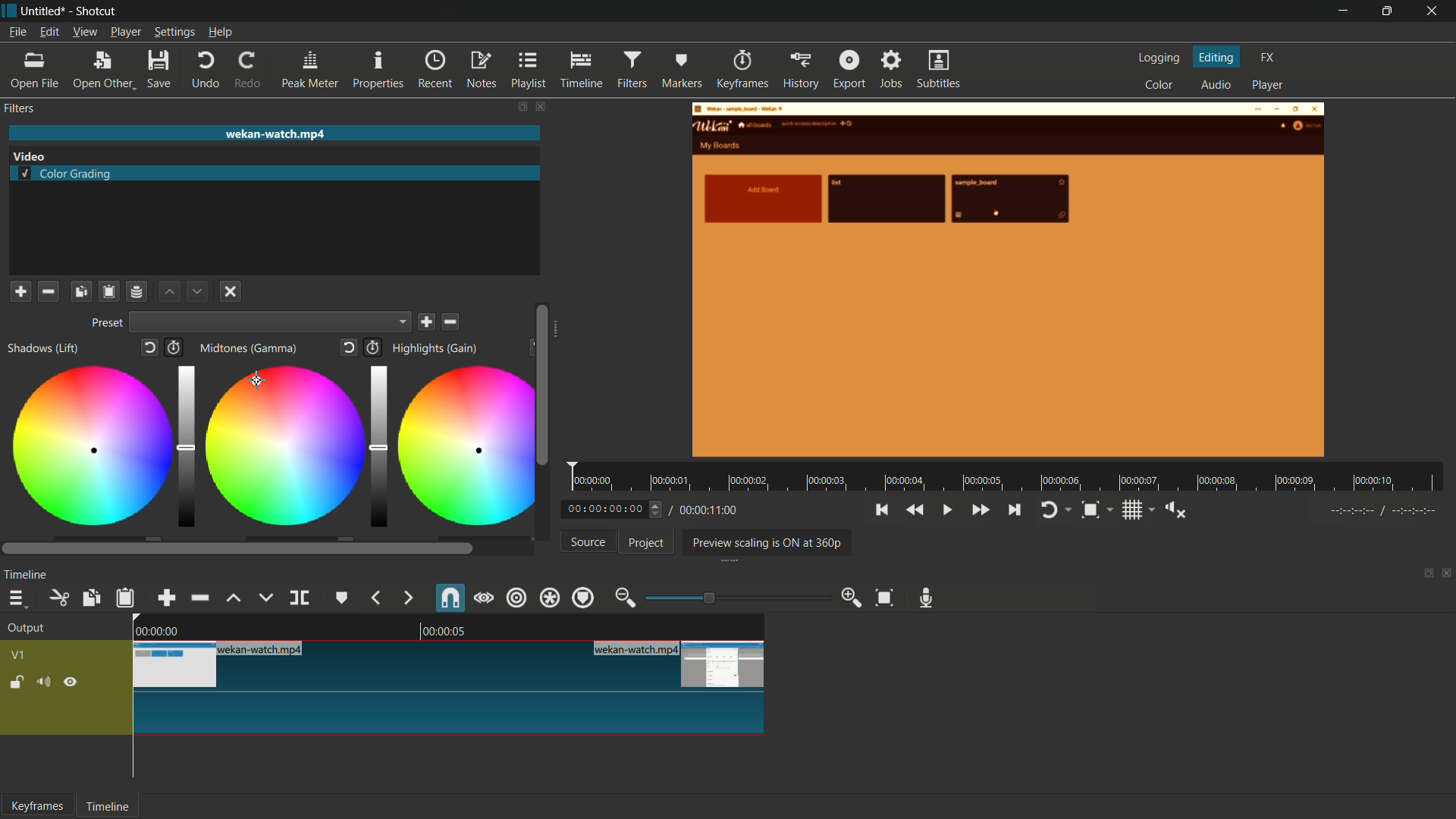 This screenshot has width=1456, height=819. Describe the element at coordinates (19, 655) in the screenshot. I see `v1` at that location.